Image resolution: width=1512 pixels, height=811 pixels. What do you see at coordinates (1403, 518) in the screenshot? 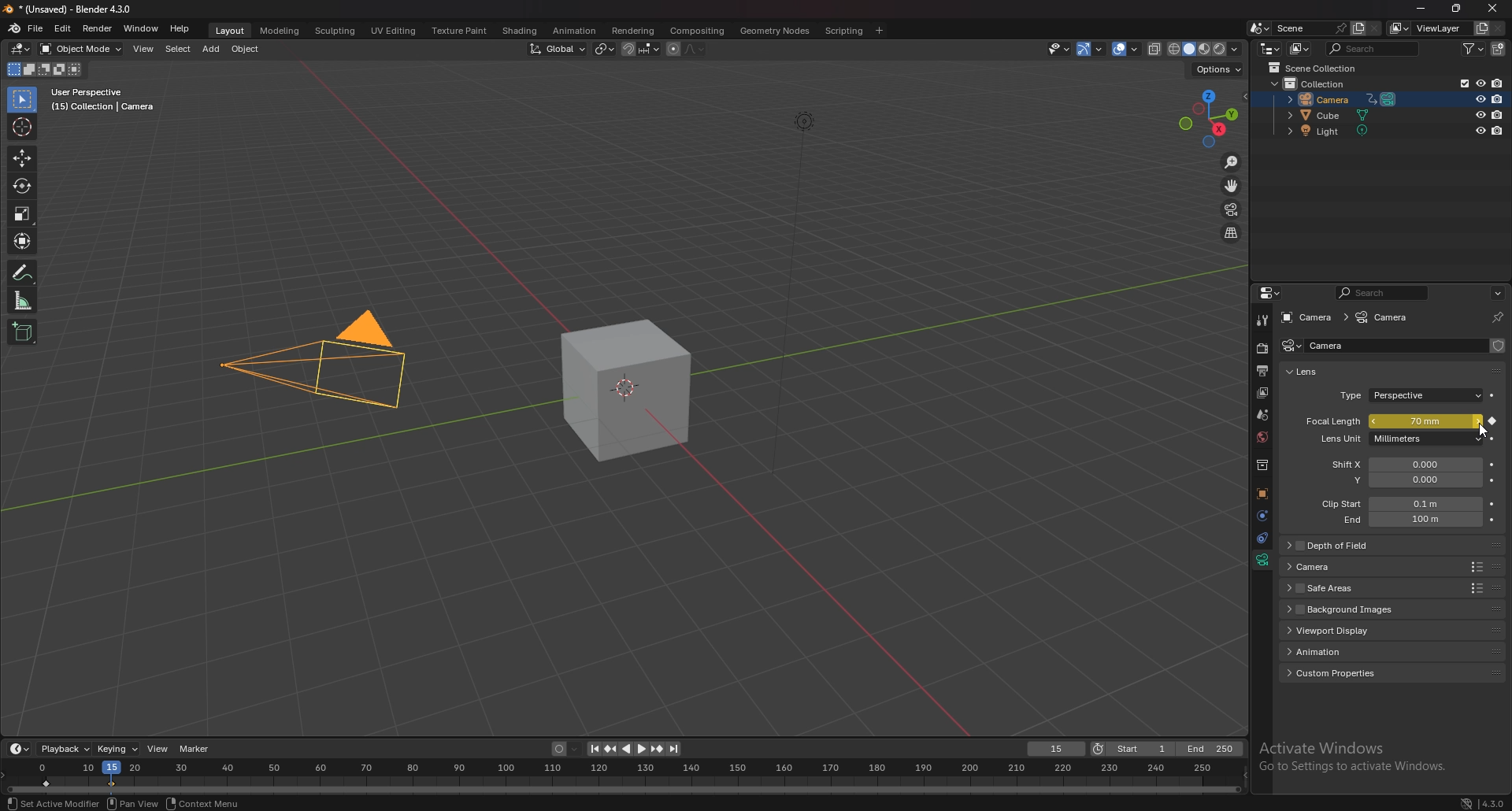
I see `clip end` at bounding box center [1403, 518].